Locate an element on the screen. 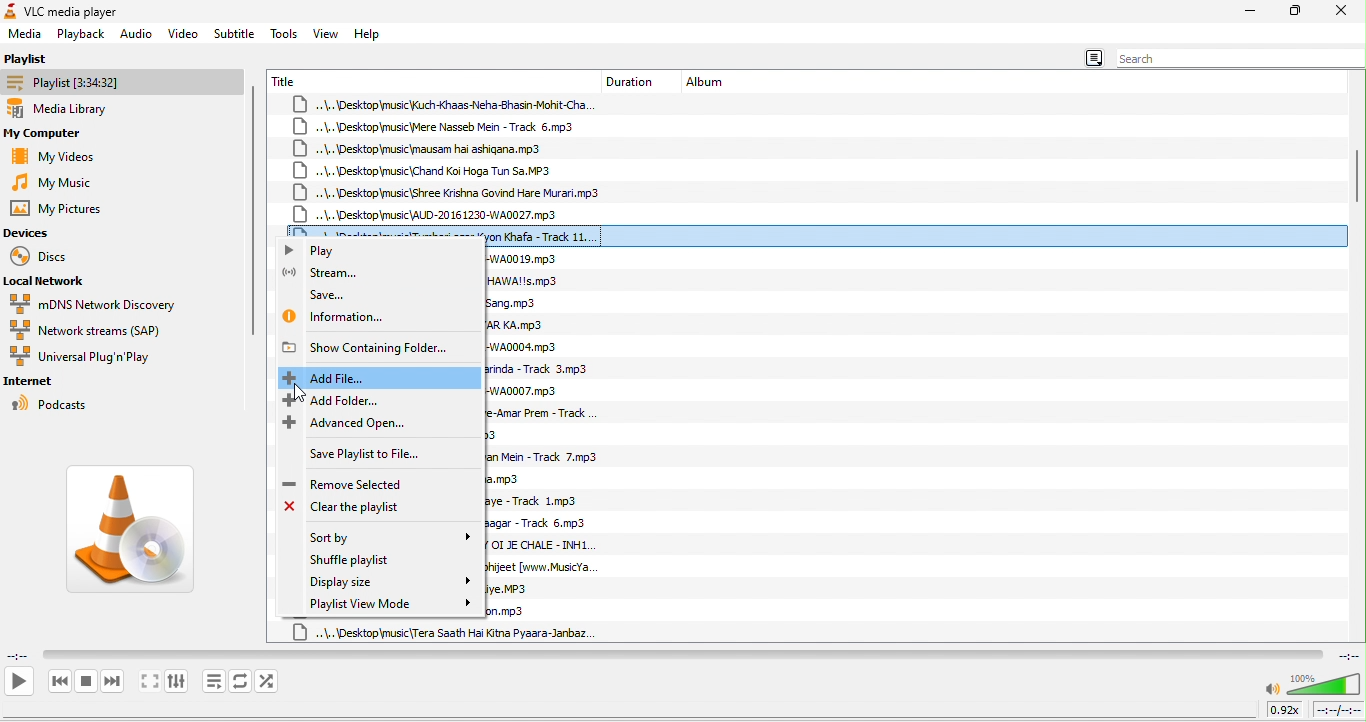 This screenshot has height=722, width=1366. volume is located at coordinates (1324, 684).